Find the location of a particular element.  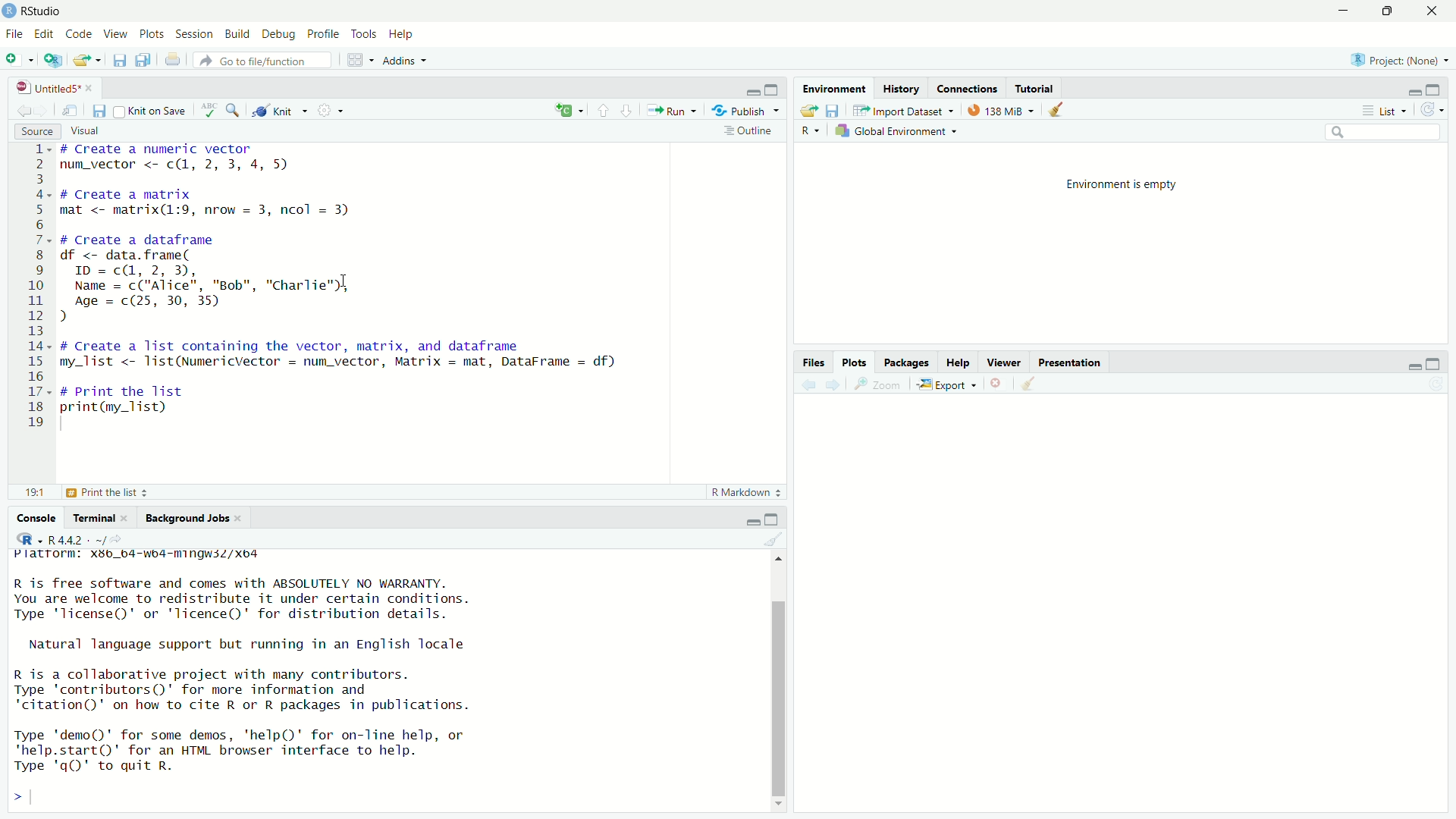

Plots is located at coordinates (857, 362).